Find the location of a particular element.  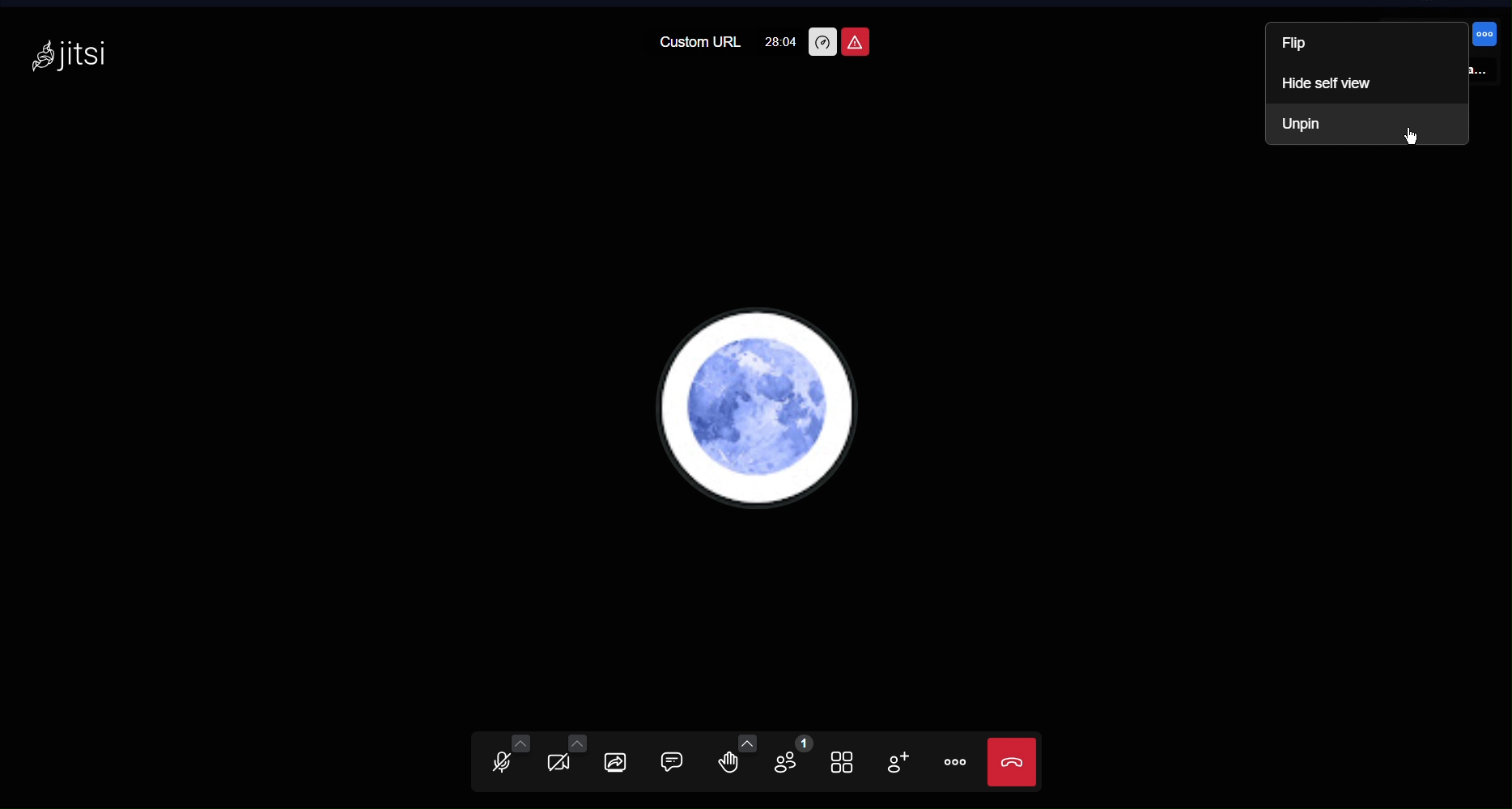

Video is located at coordinates (563, 760).